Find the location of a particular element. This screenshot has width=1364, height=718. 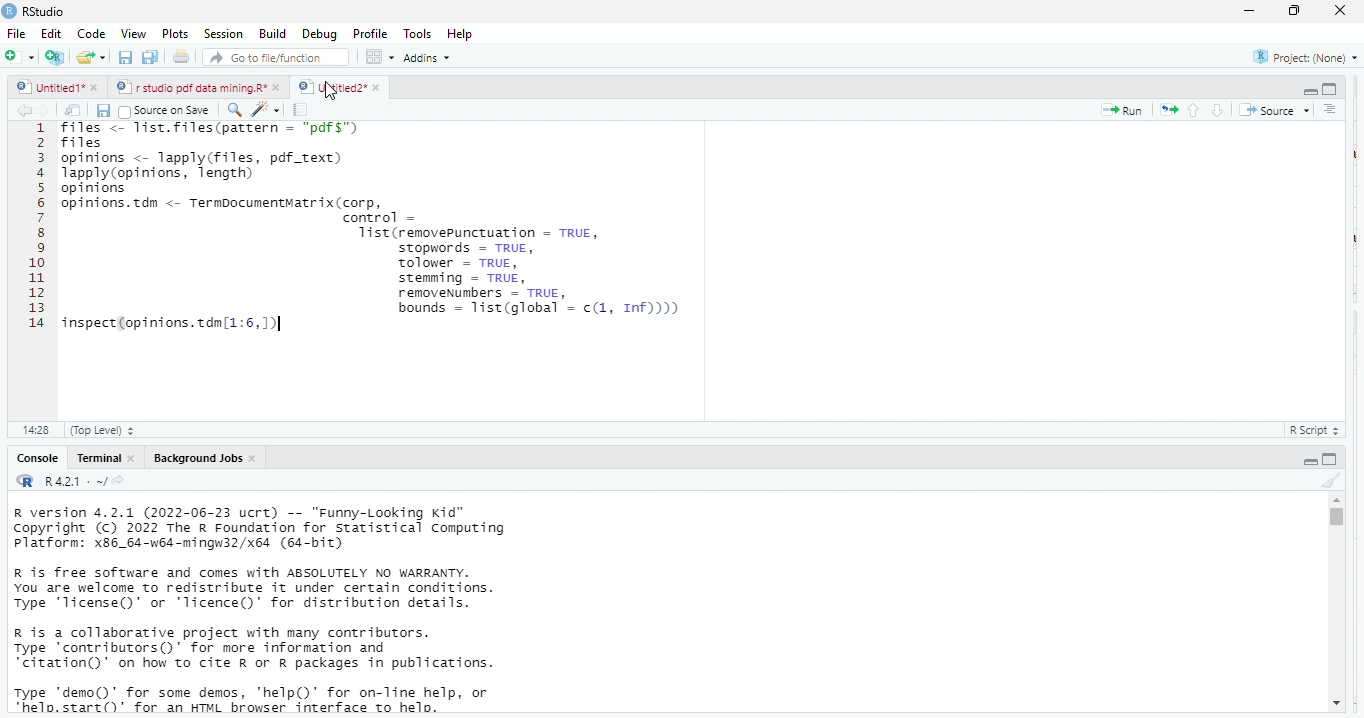

code tools is located at coordinates (265, 108).